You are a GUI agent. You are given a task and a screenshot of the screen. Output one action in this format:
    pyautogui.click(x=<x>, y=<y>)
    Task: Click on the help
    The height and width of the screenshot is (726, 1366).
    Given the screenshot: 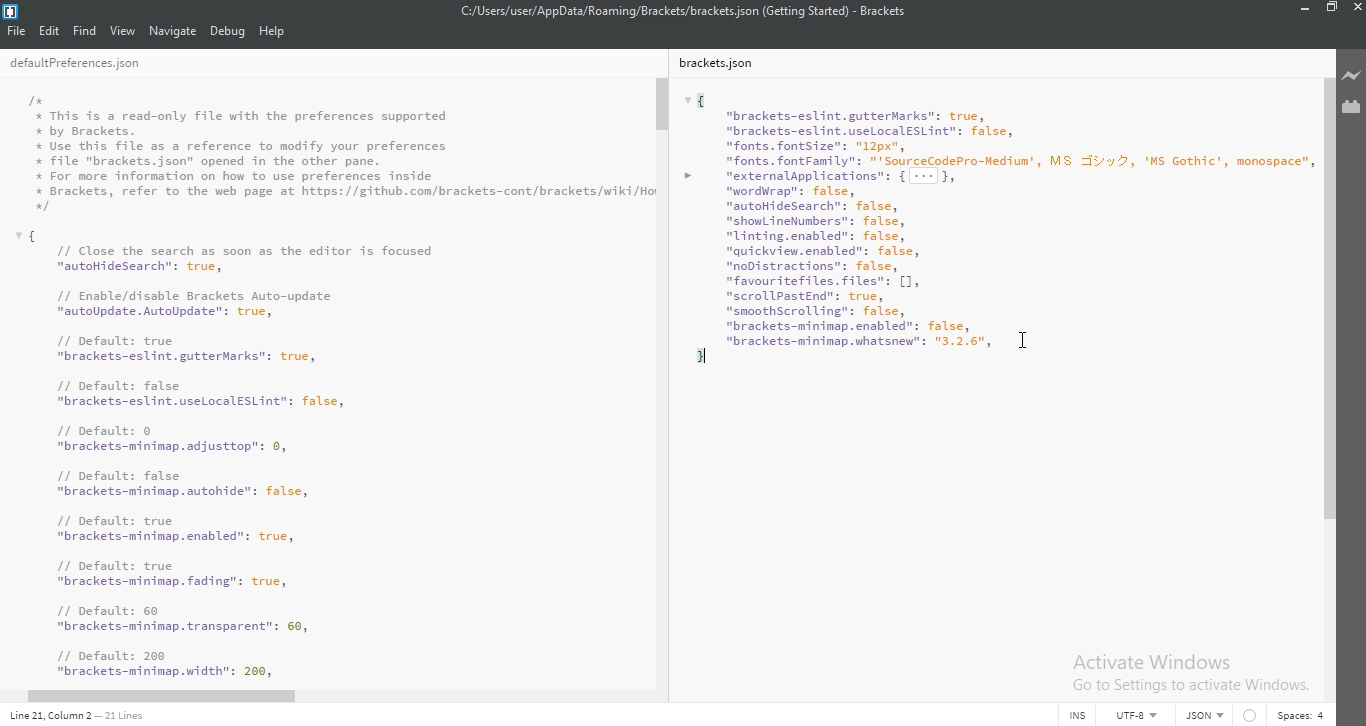 What is the action you would take?
    pyautogui.click(x=272, y=32)
    